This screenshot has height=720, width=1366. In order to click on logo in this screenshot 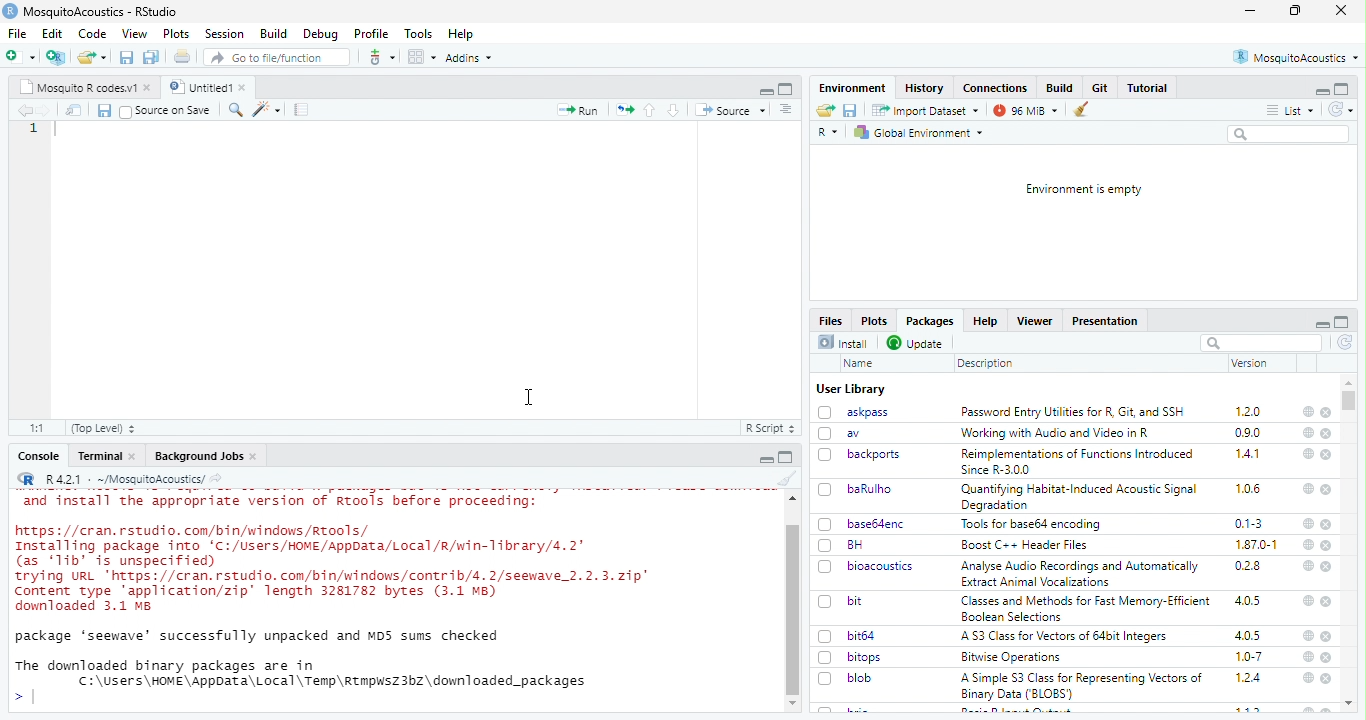, I will do `click(27, 478)`.